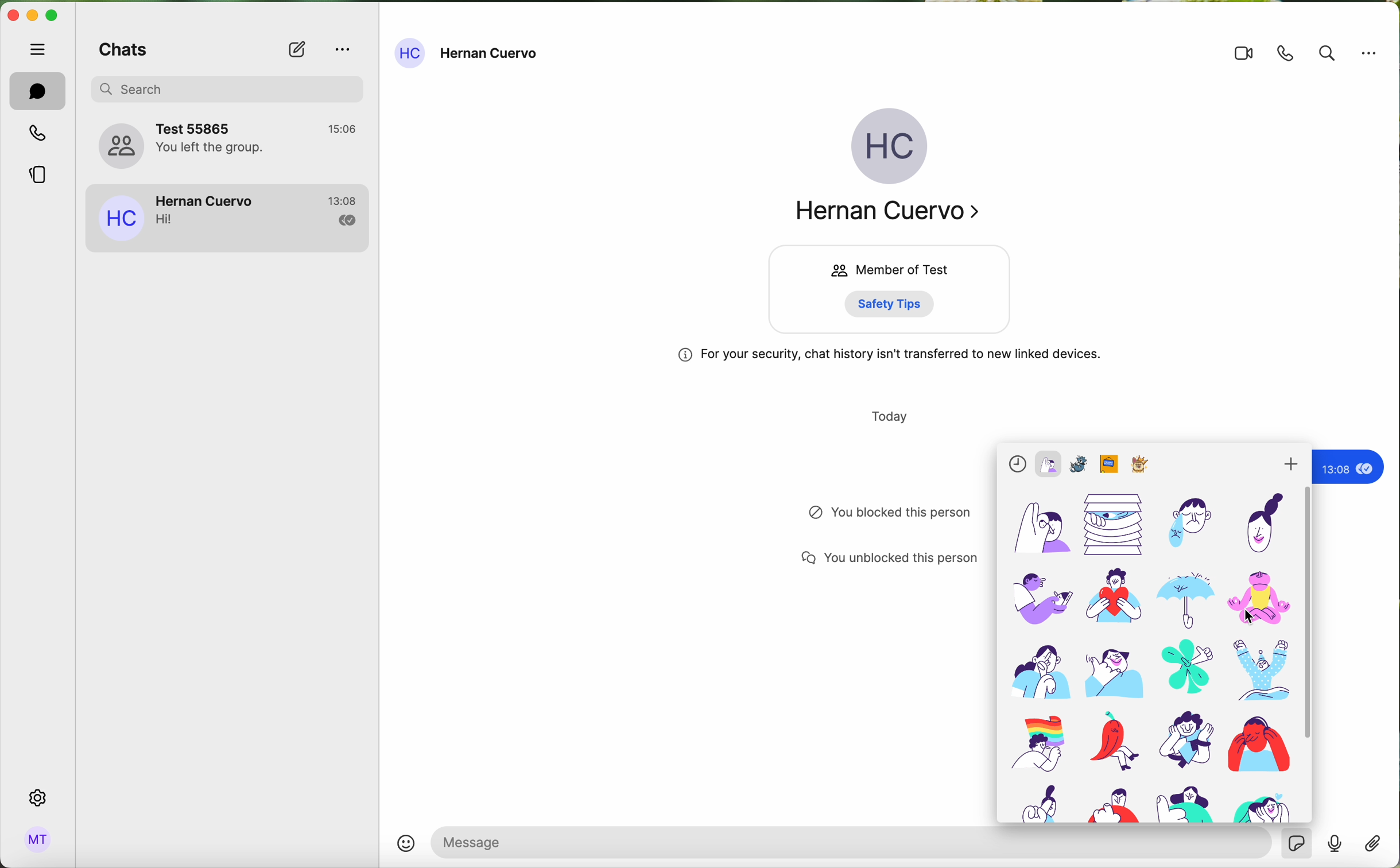 The image size is (1400, 868). Describe the element at coordinates (1371, 847) in the screenshot. I see `attach file` at that location.